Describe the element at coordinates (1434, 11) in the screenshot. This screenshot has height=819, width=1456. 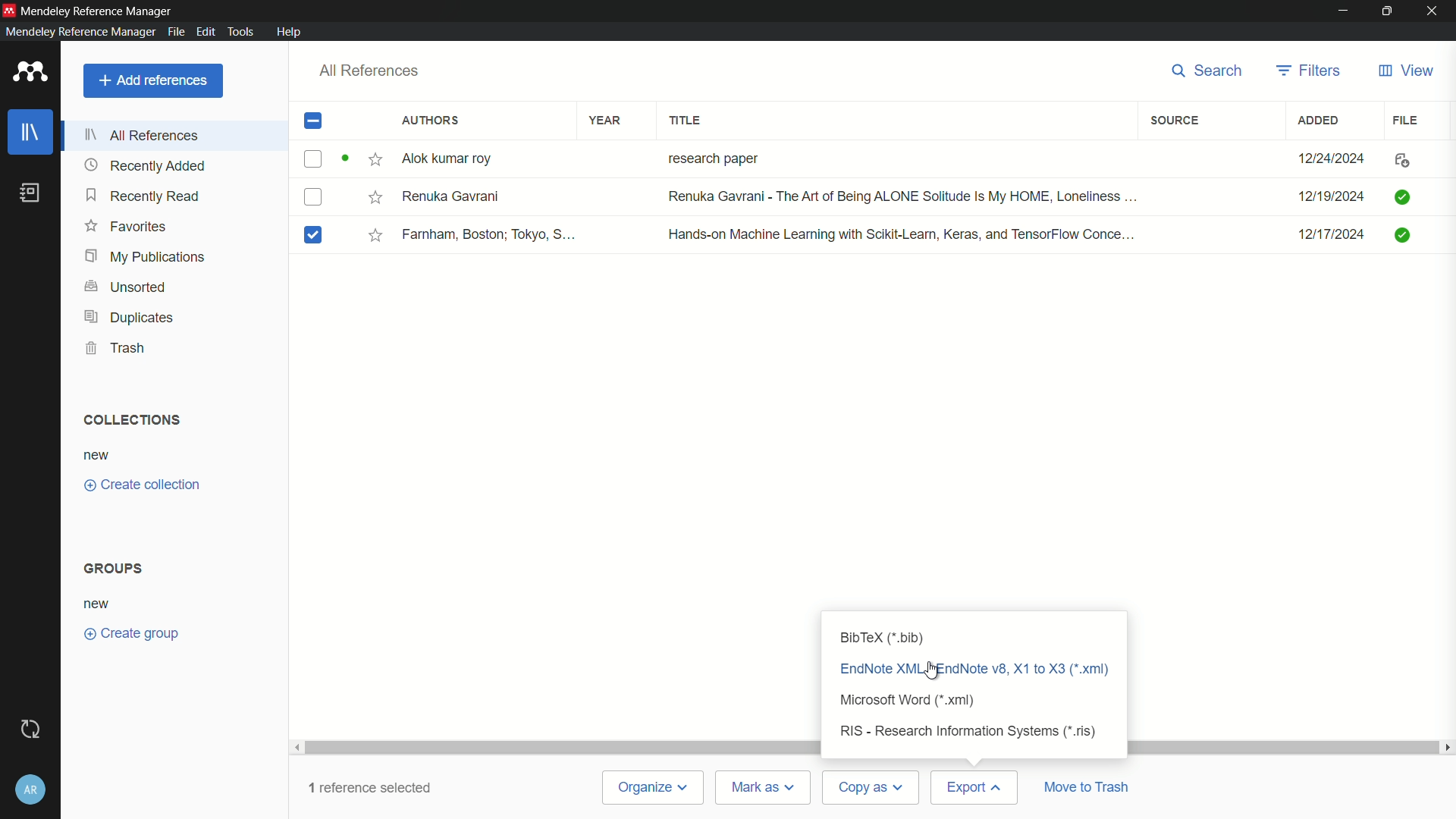
I see `close app` at that location.